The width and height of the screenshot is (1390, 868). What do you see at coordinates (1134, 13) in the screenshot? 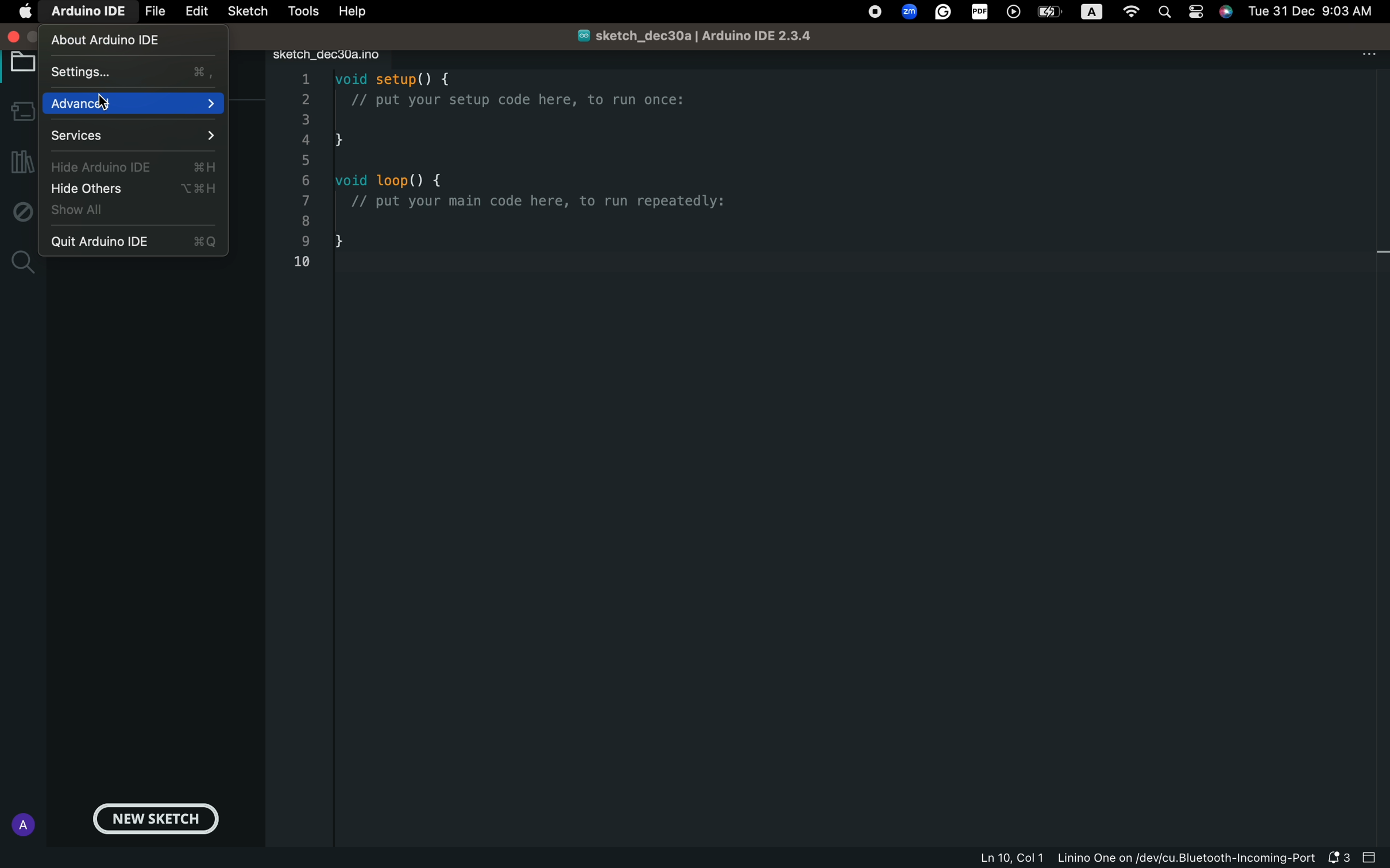
I see `WIfi` at bounding box center [1134, 13].